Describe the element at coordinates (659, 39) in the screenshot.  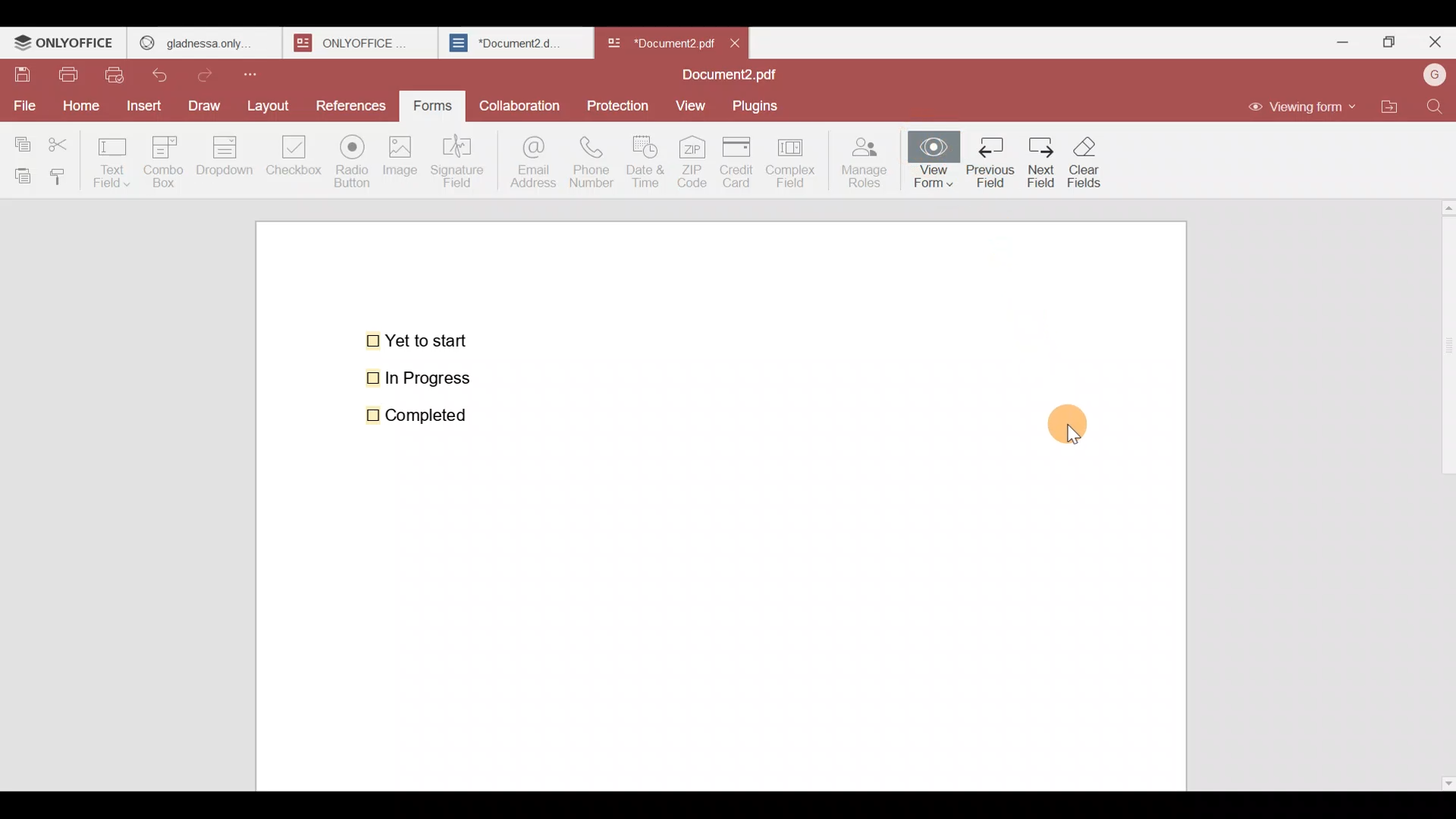
I see `Document name` at that location.